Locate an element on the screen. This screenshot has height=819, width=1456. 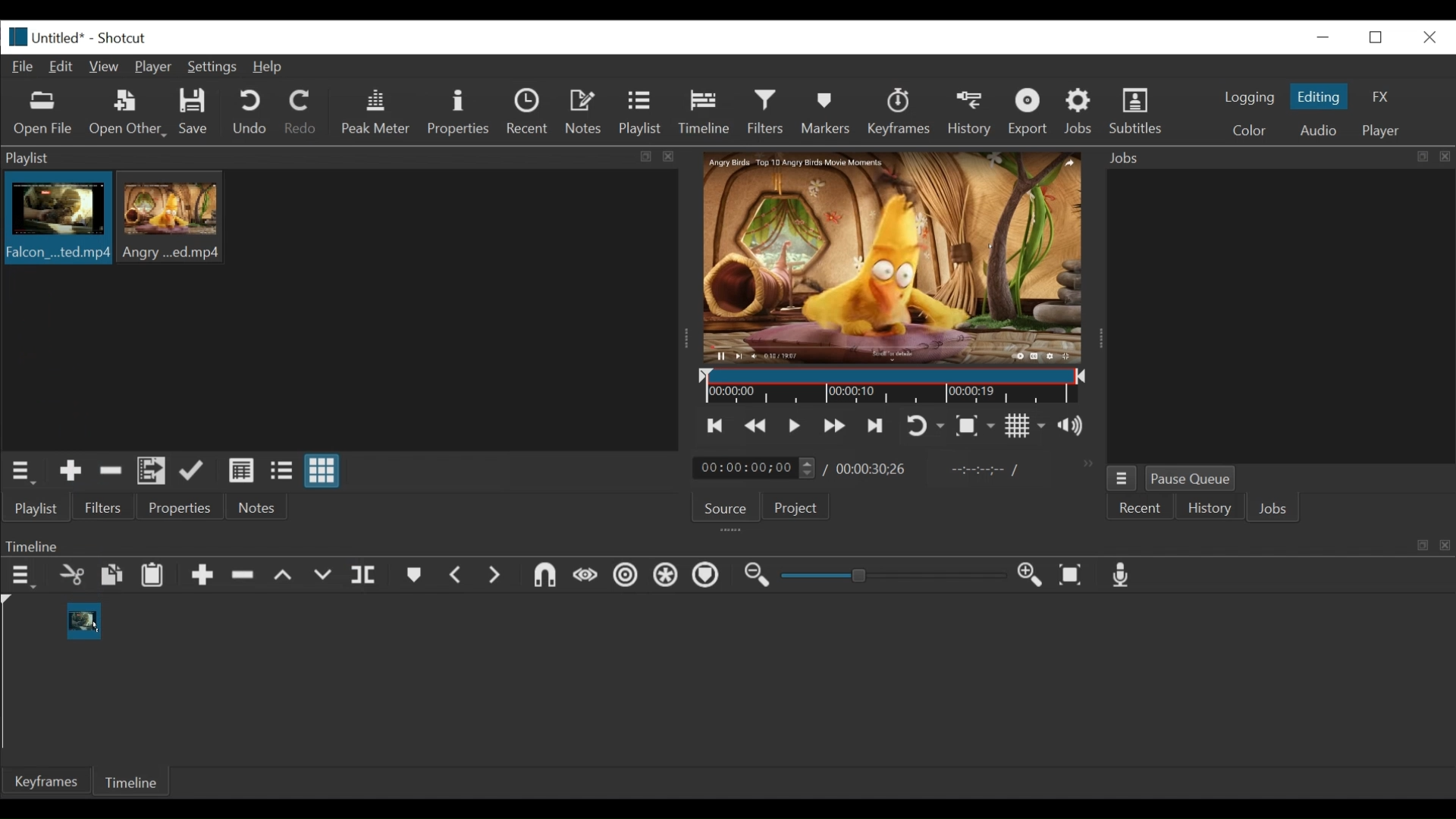
lift is located at coordinates (285, 577).